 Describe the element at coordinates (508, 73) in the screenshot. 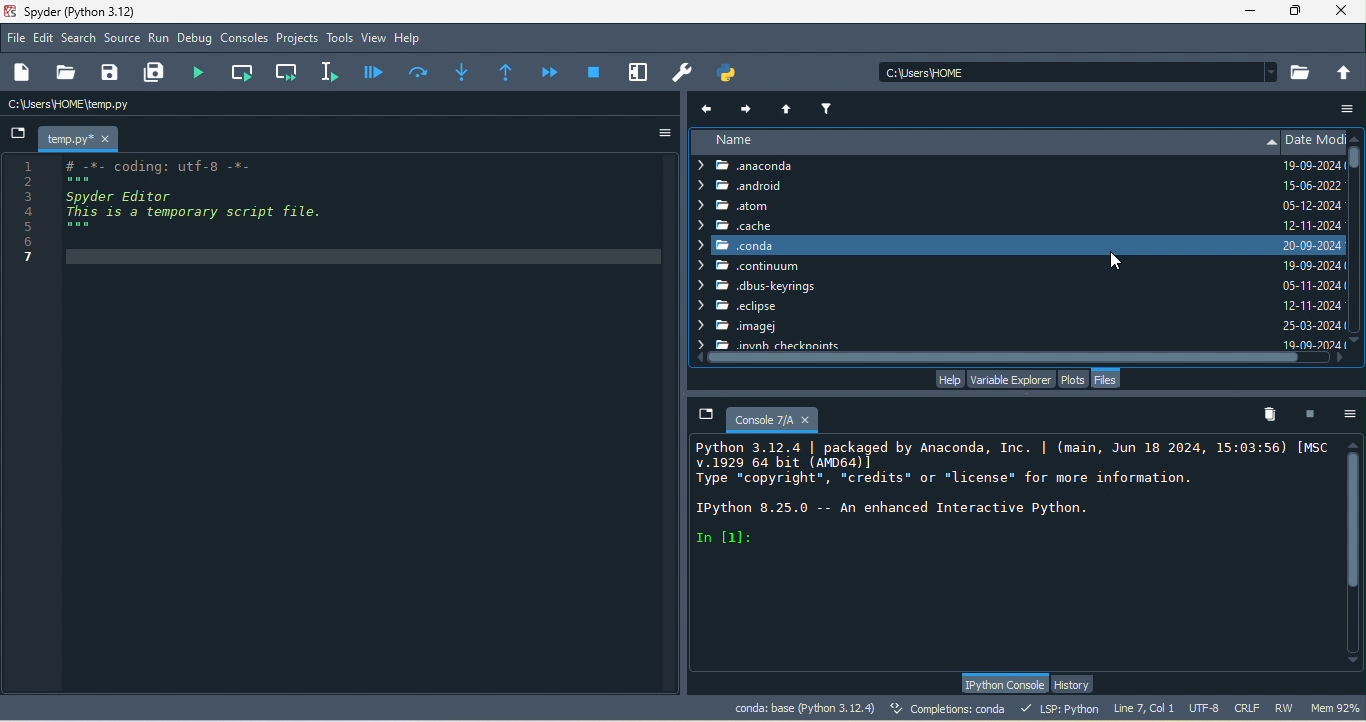

I see `method returns` at that location.